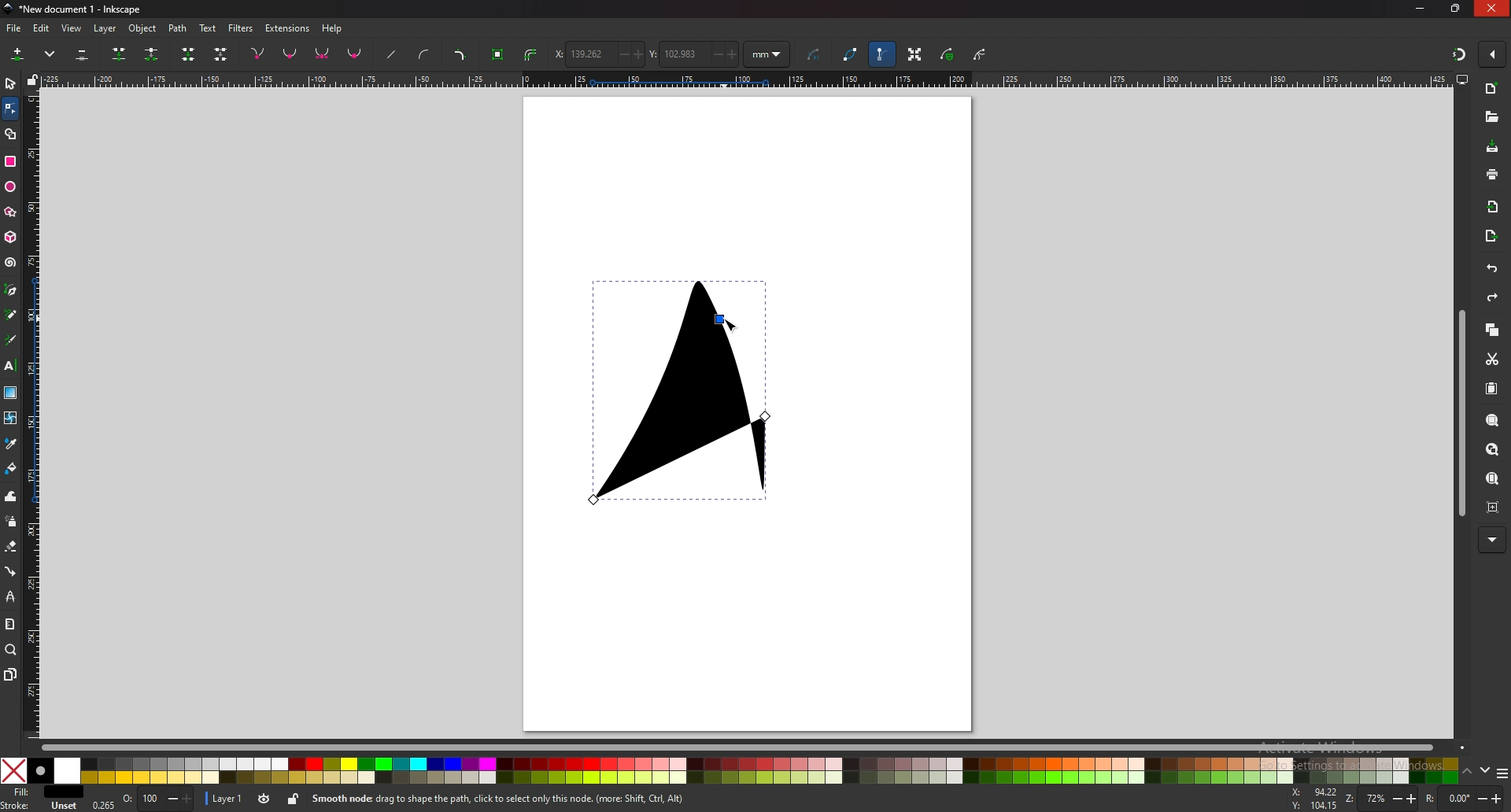 This screenshot has height=812, width=1511. Describe the element at coordinates (744, 79) in the screenshot. I see `horizontal scale` at that location.